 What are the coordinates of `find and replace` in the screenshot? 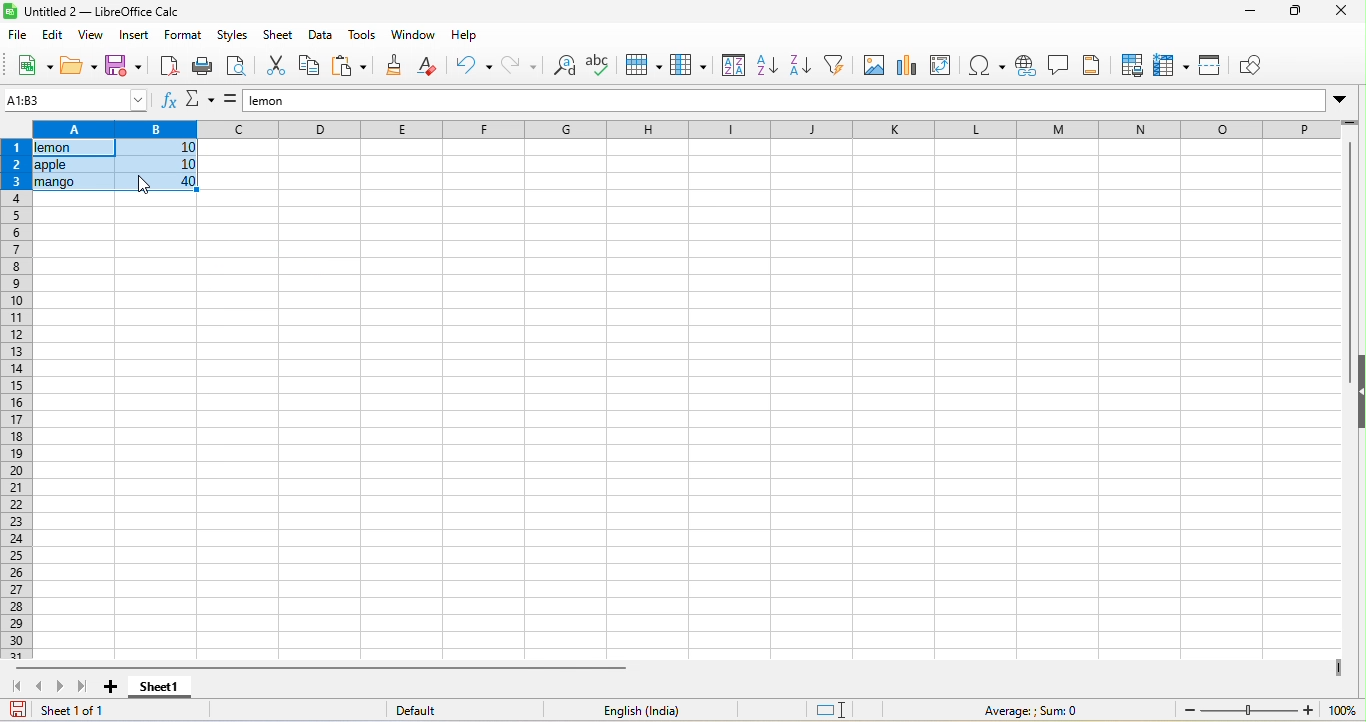 It's located at (567, 67).